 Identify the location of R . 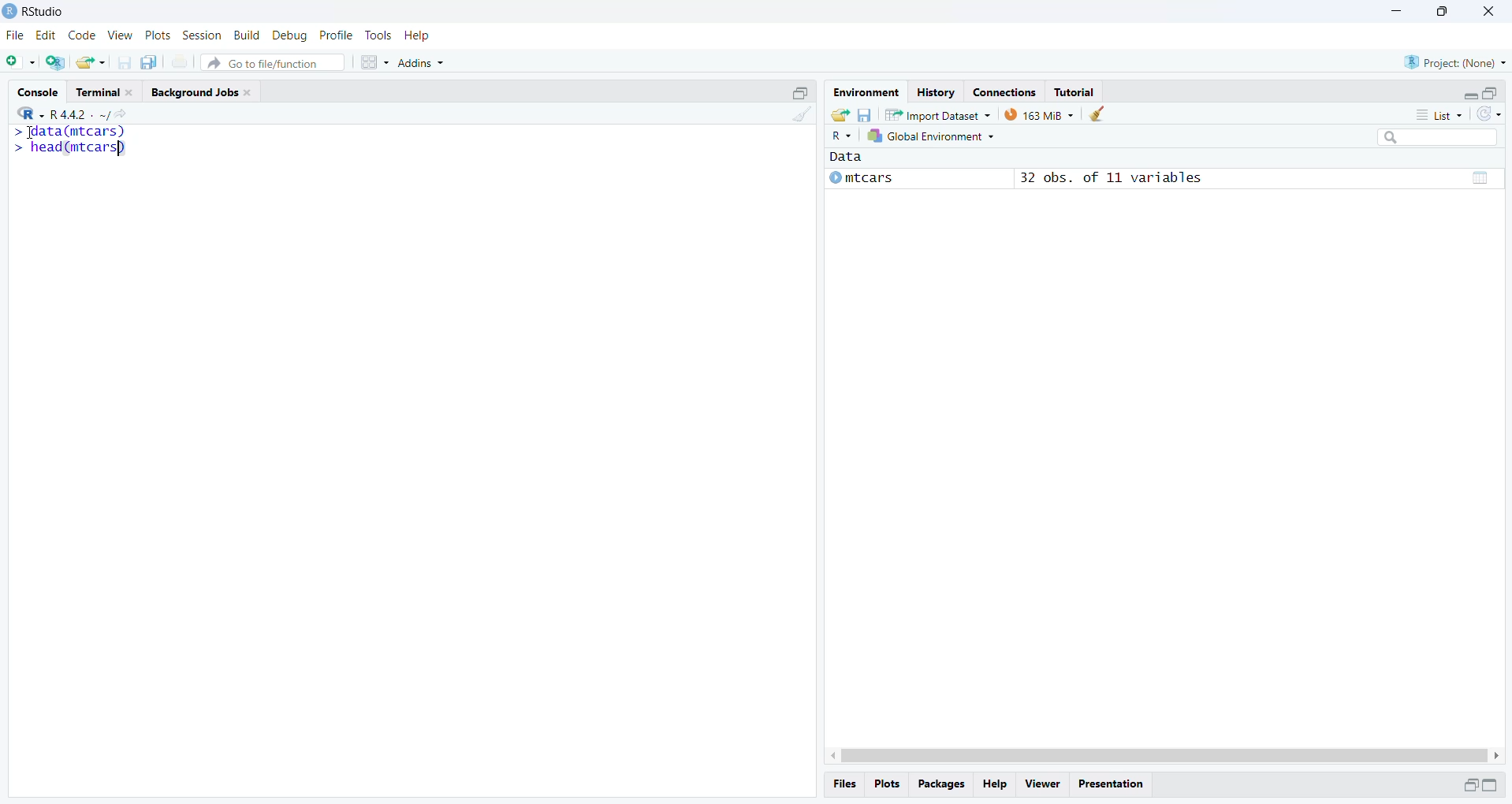
(32, 114).